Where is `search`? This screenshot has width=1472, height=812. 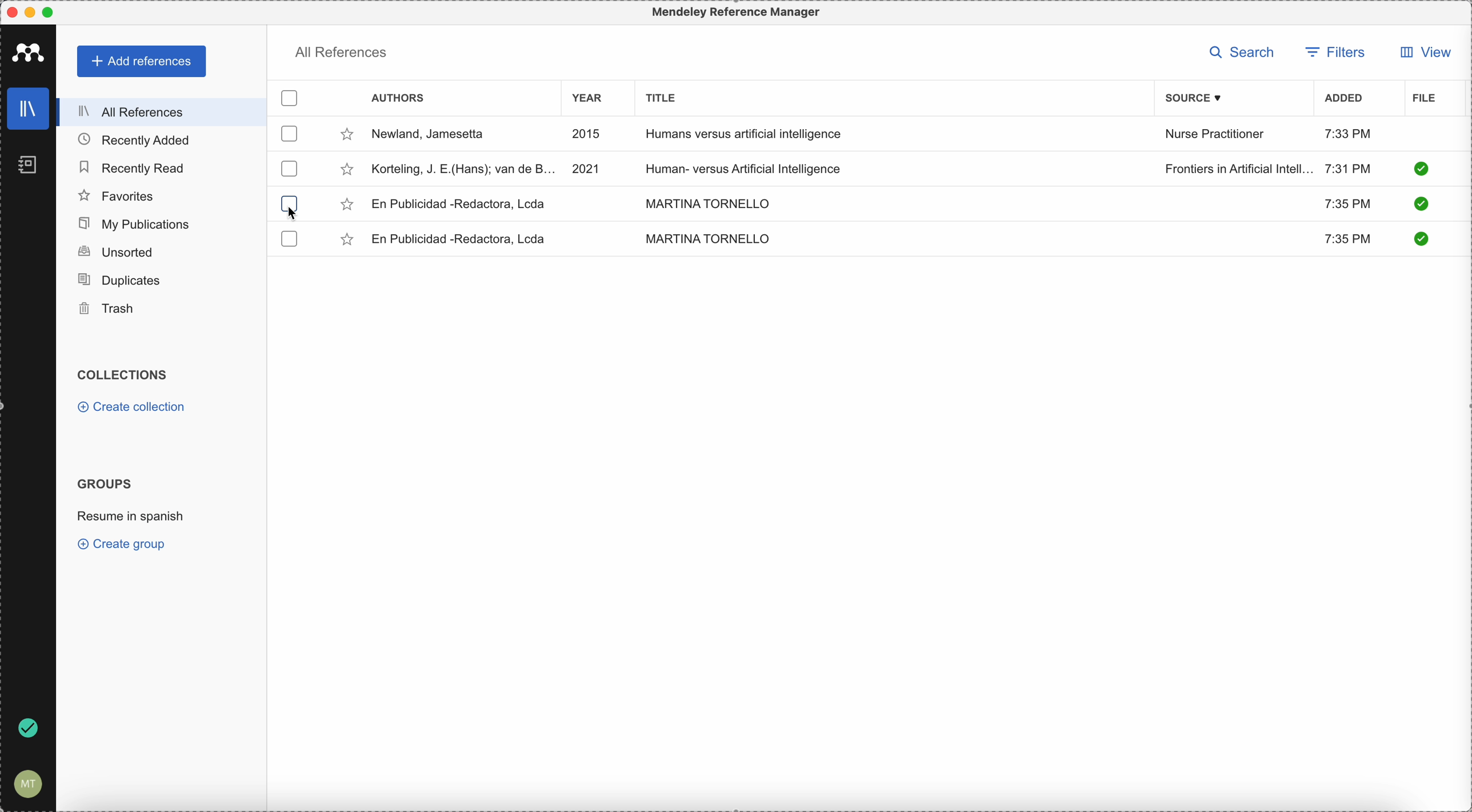
search is located at coordinates (1246, 53).